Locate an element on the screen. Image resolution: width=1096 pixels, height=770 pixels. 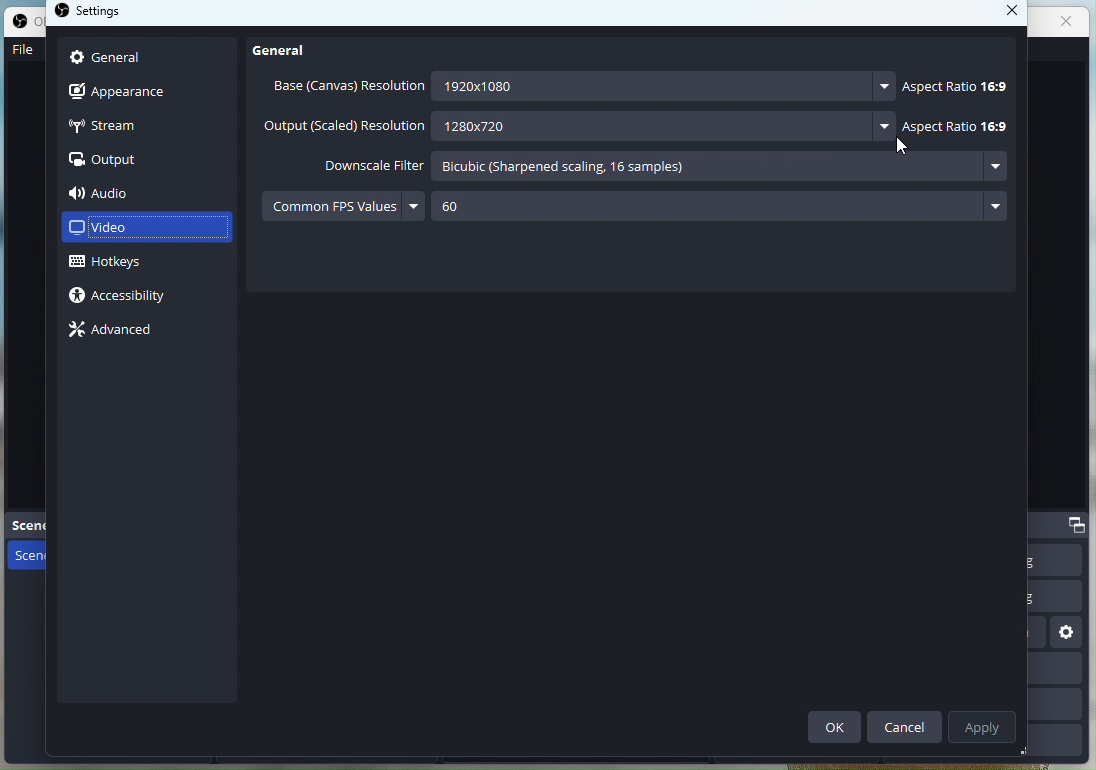
Accessibility is located at coordinates (128, 299).